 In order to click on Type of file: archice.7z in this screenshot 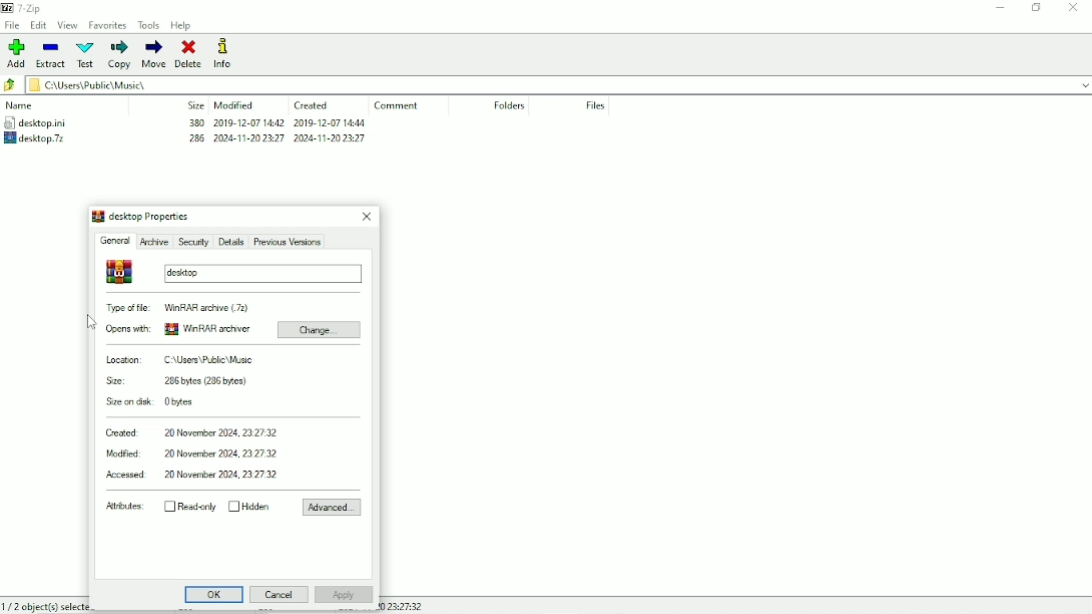, I will do `click(179, 308)`.